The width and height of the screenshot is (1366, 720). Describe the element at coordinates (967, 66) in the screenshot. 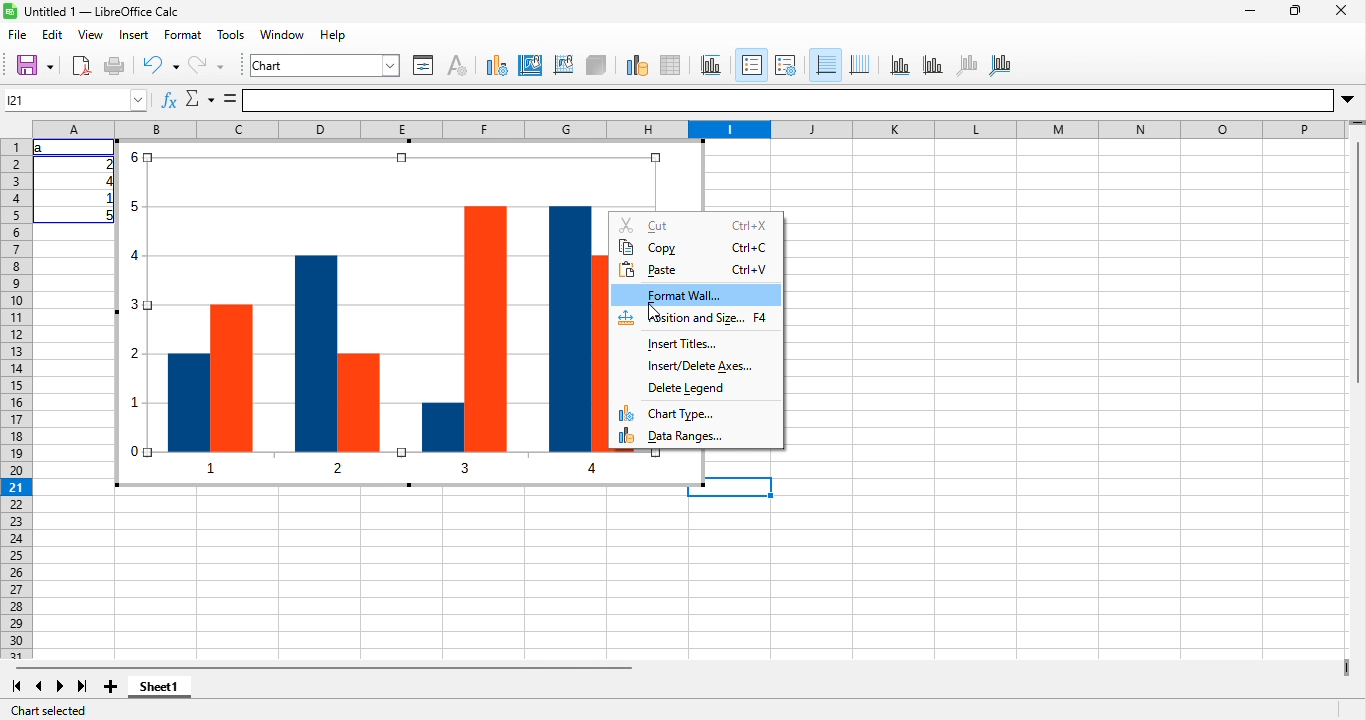

I see `z axis` at that location.